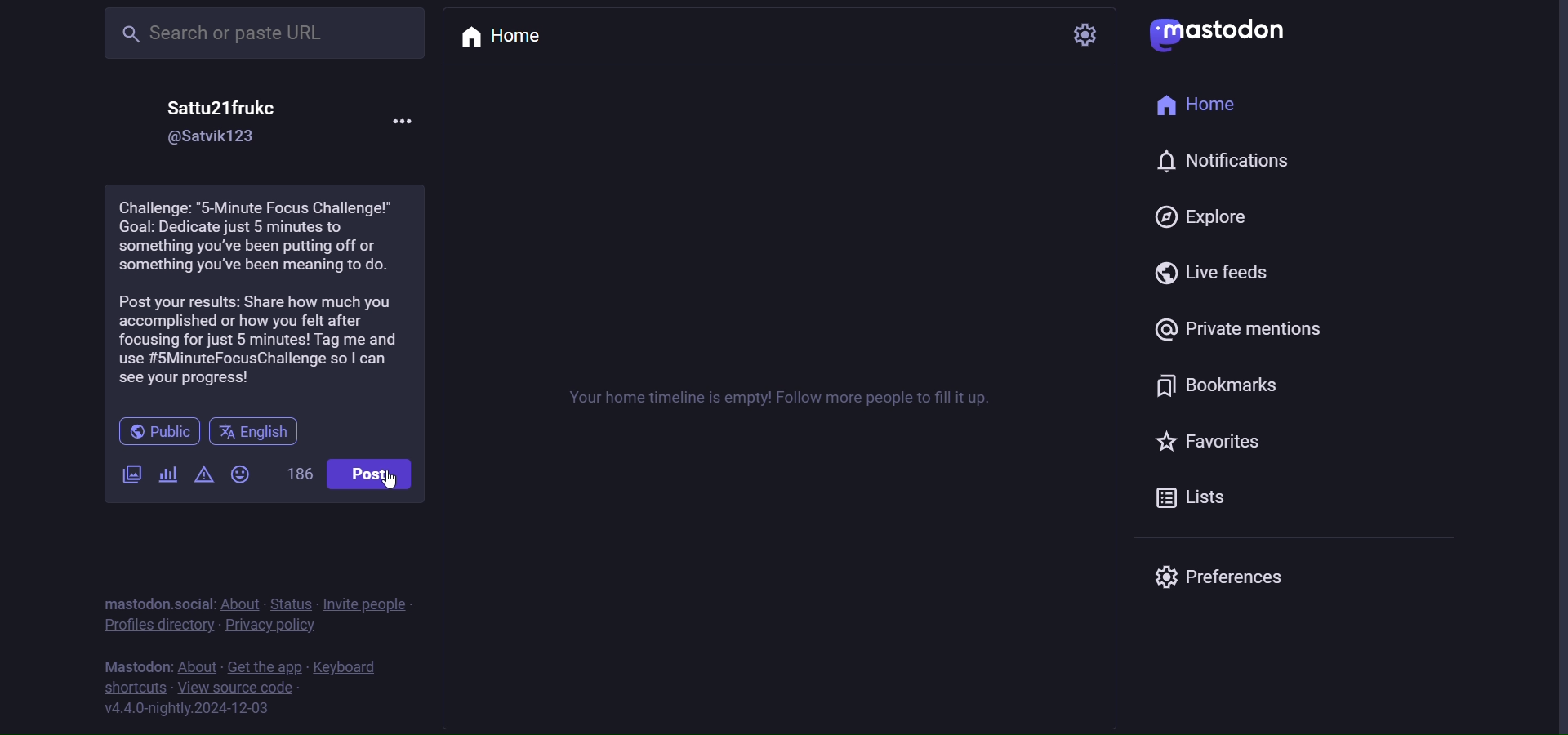  Describe the element at coordinates (264, 667) in the screenshot. I see `get the app` at that location.